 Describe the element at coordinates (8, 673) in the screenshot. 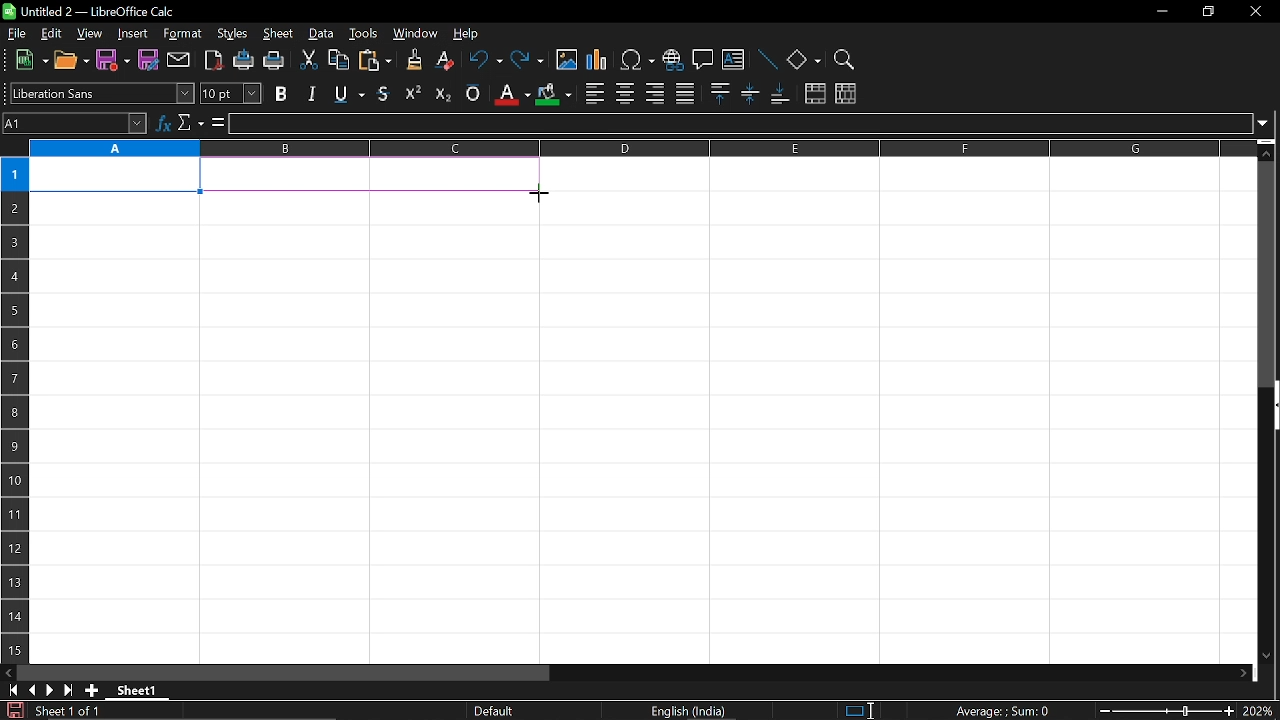

I see `move left` at that location.